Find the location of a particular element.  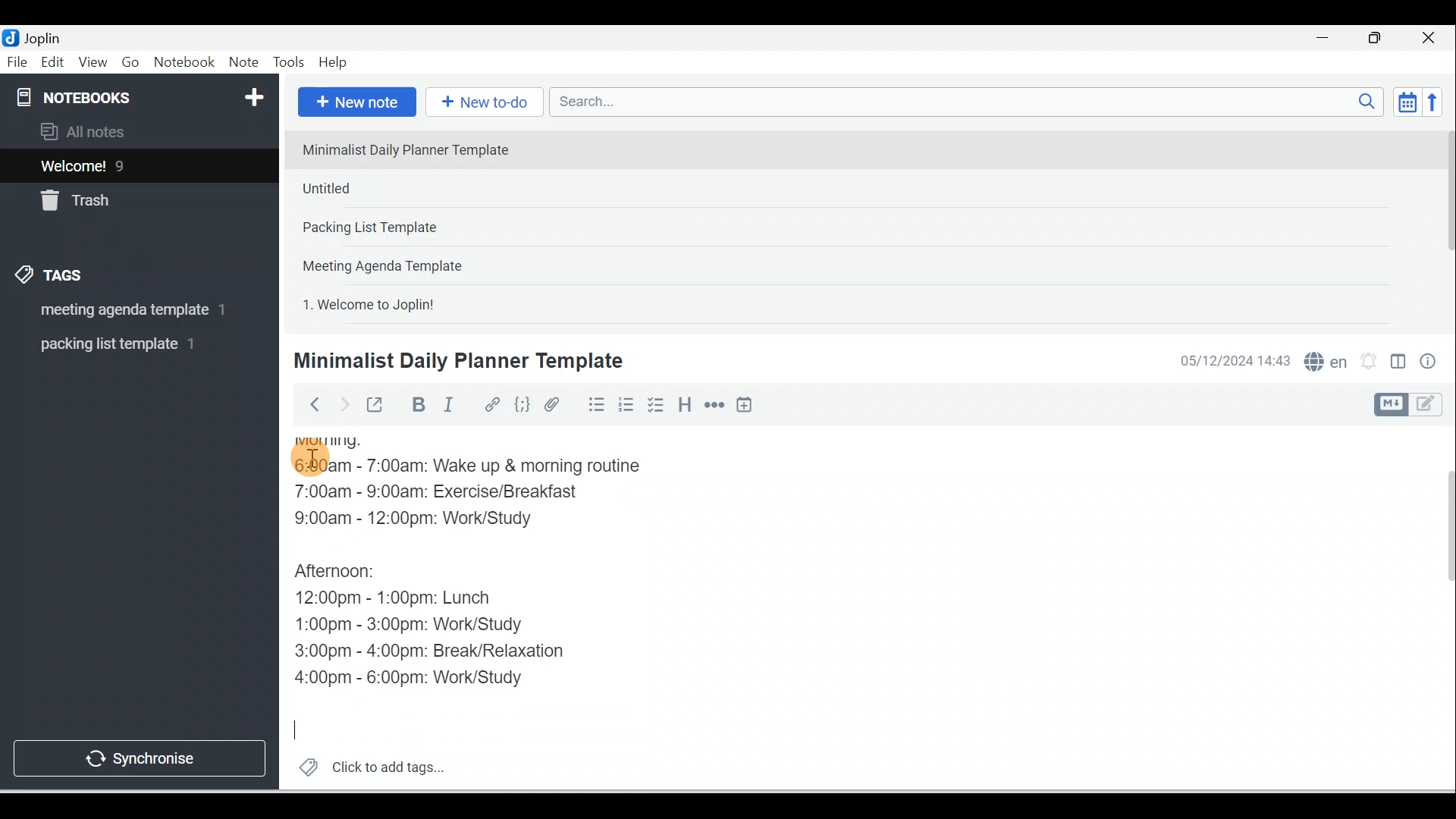

Joplin is located at coordinates (46, 36).